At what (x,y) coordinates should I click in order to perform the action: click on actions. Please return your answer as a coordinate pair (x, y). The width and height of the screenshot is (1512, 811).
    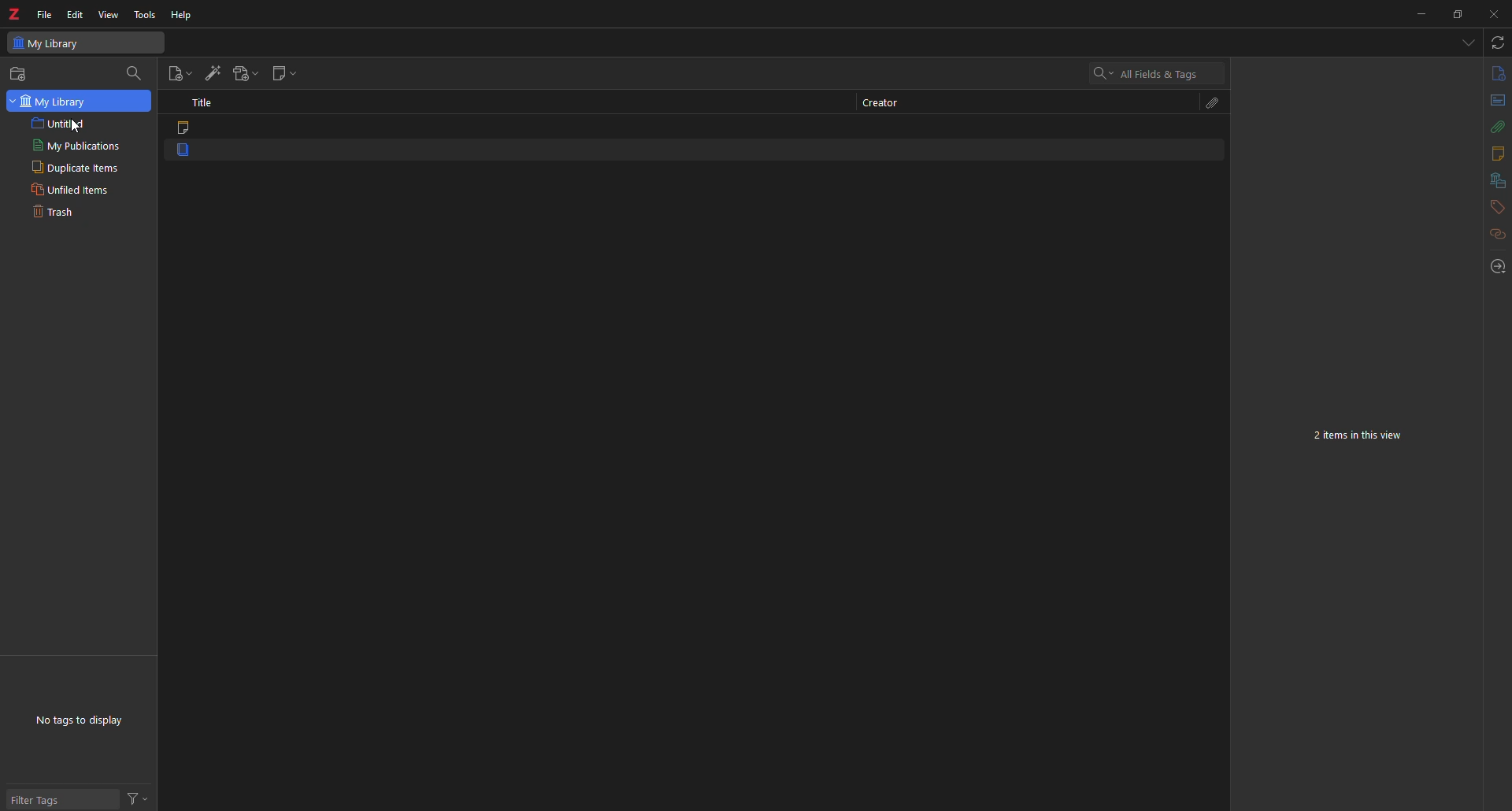
    Looking at the image, I should click on (137, 797).